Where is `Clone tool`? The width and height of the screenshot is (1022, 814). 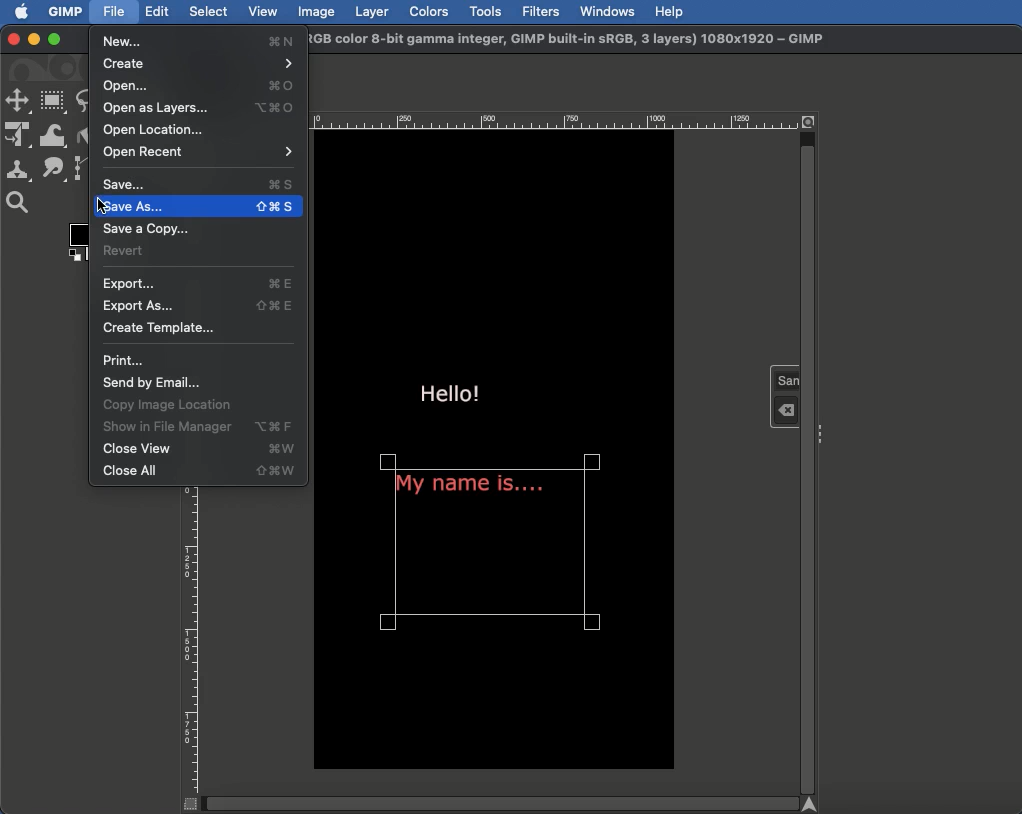
Clone tool is located at coordinates (19, 172).